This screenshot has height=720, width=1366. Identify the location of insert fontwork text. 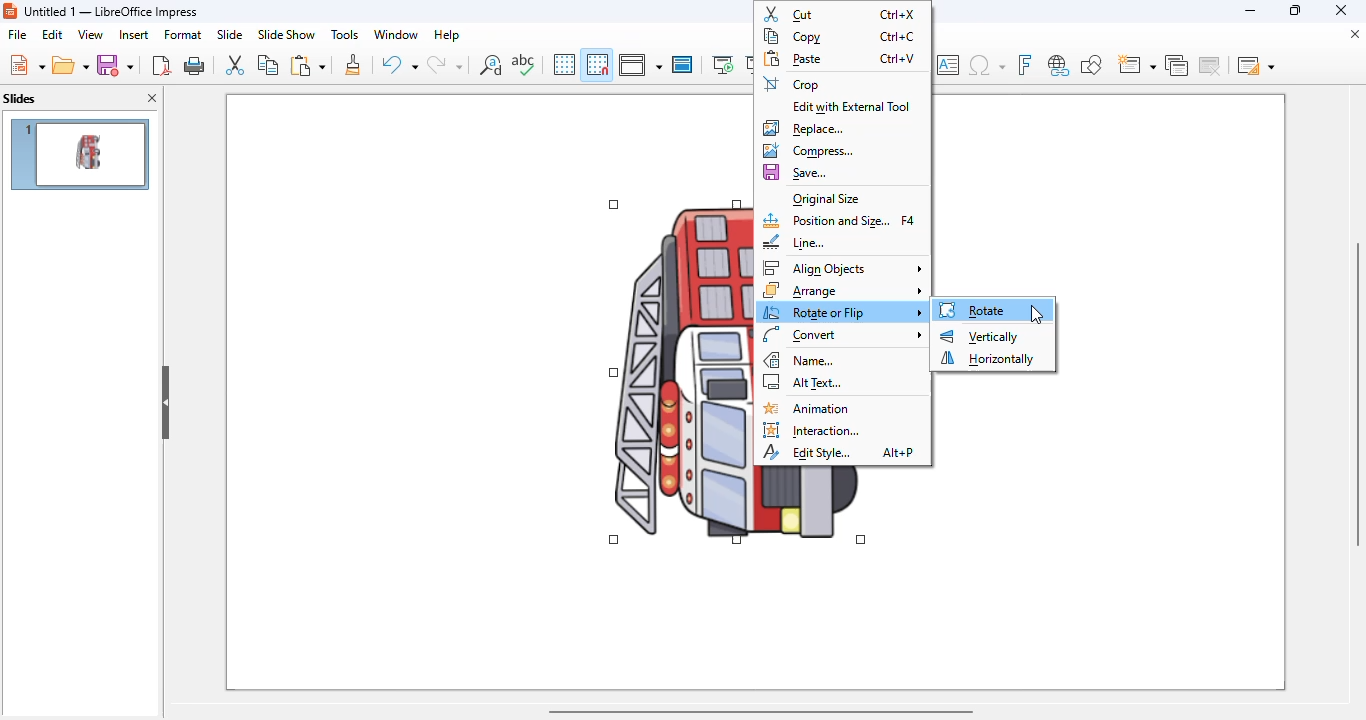
(1026, 64).